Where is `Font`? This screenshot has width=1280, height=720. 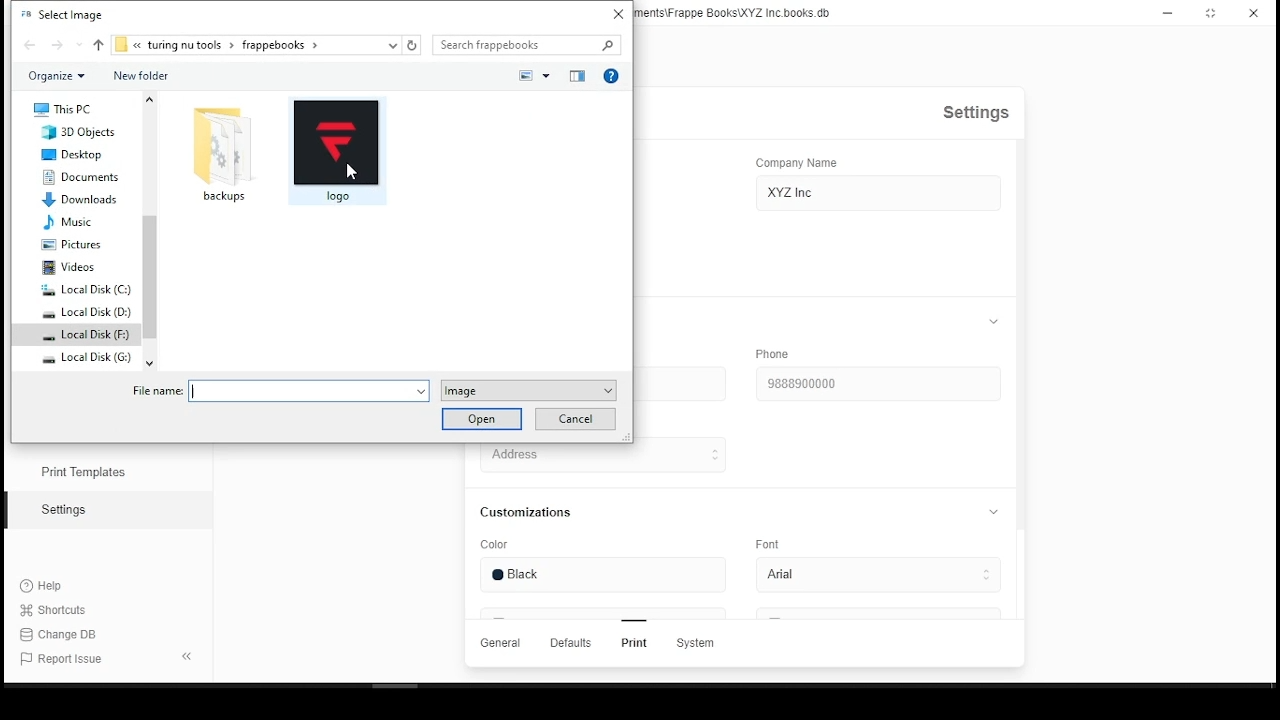 Font is located at coordinates (768, 543).